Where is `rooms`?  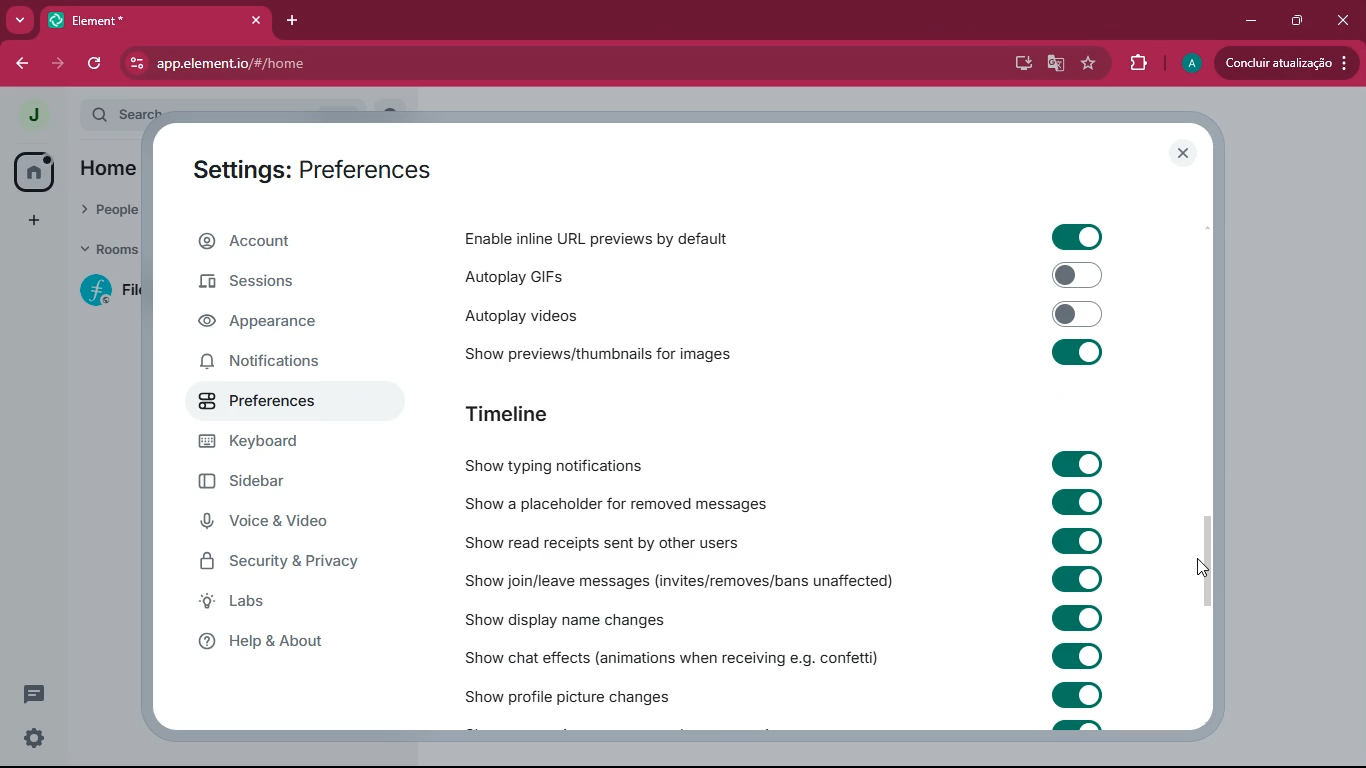 rooms is located at coordinates (102, 251).